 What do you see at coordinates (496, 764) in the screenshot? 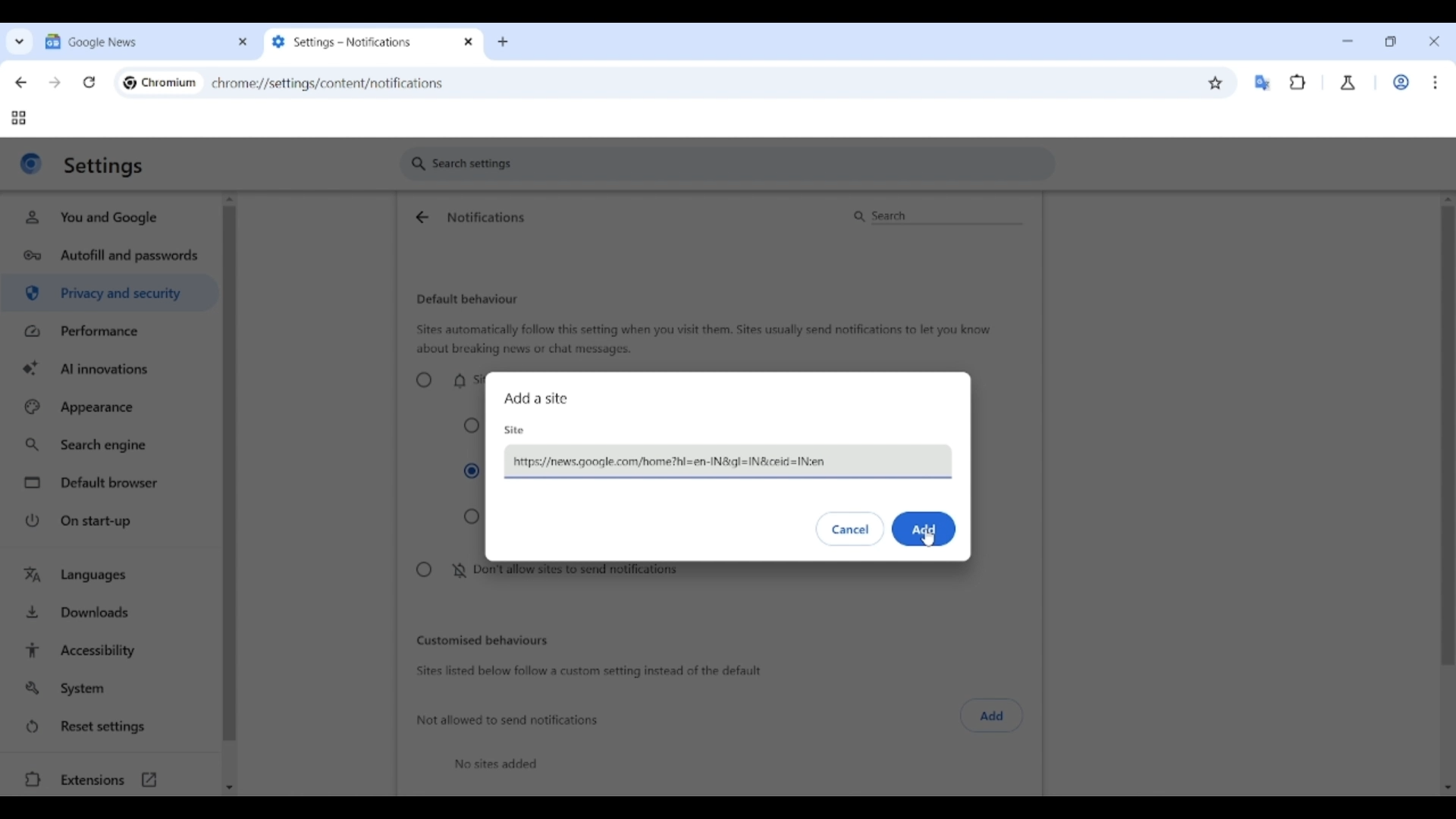
I see `No sites added` at bounding box center [496, 764].